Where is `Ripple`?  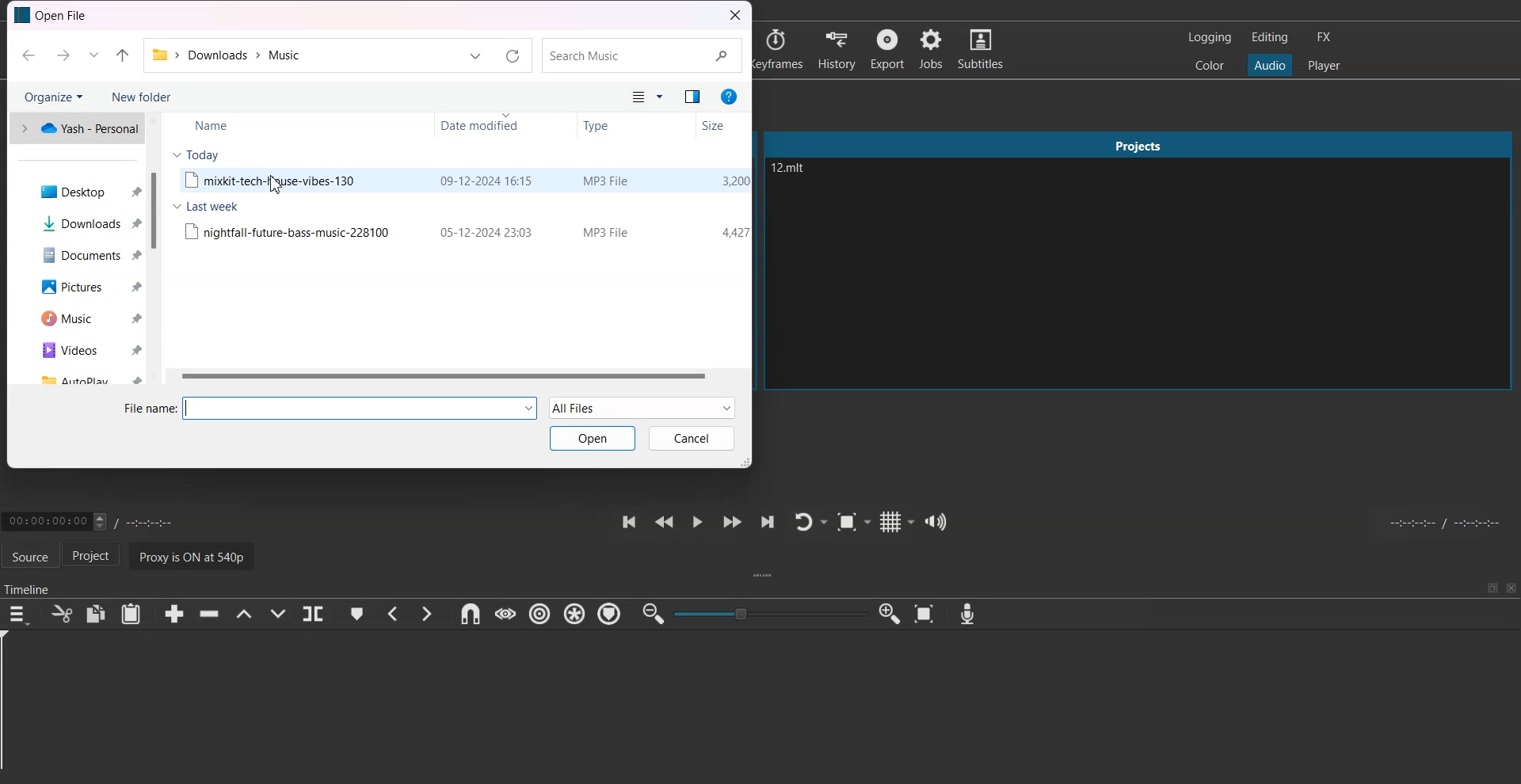 Ripple is located at coordinates (542, 615).